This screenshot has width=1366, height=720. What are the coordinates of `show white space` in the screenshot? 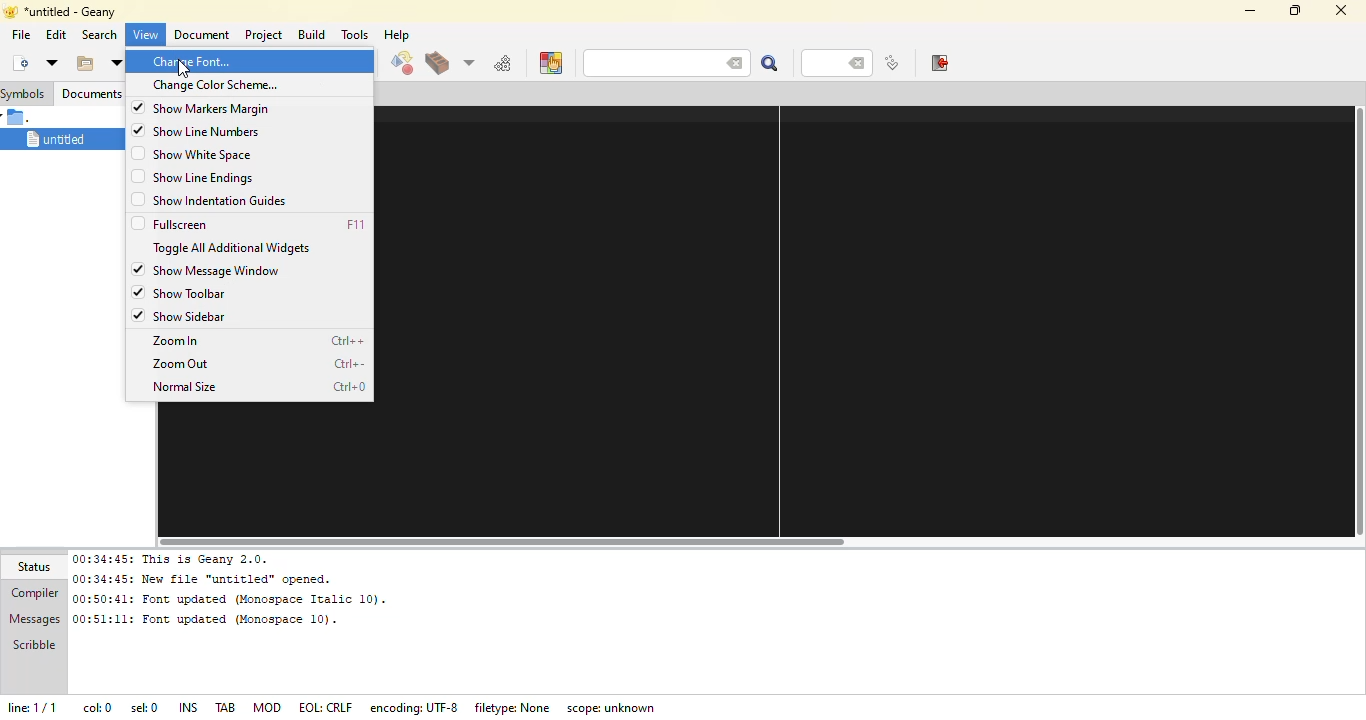 It's located at (205, 155).